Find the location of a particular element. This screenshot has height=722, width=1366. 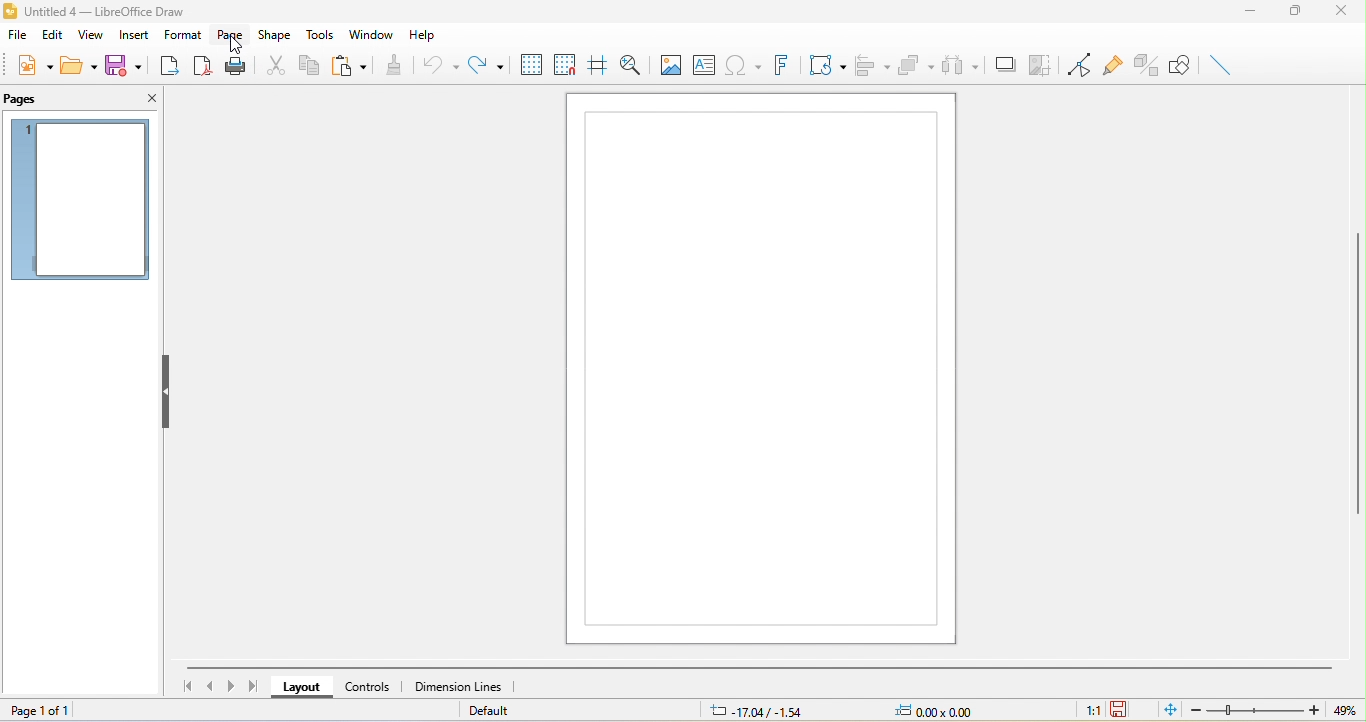

1:1 is located at coordinates (1080, 711).